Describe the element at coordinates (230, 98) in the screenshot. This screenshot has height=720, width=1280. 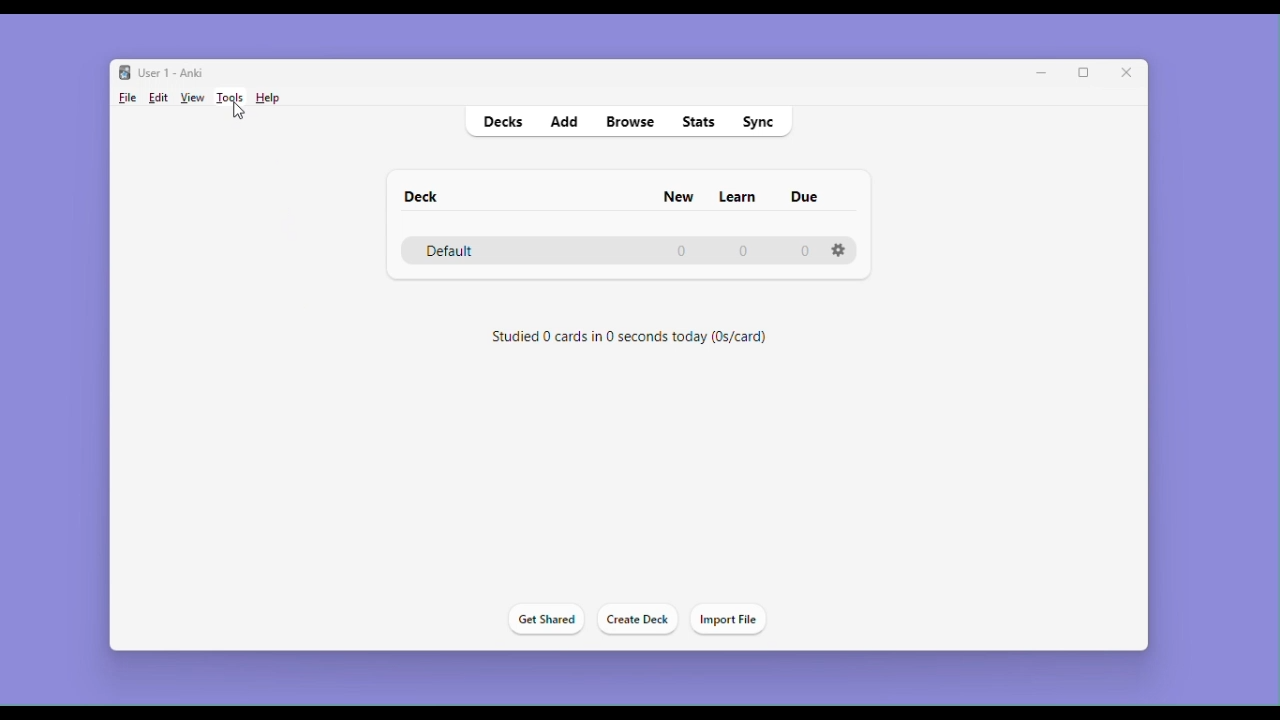
I see `Tools` at that location.